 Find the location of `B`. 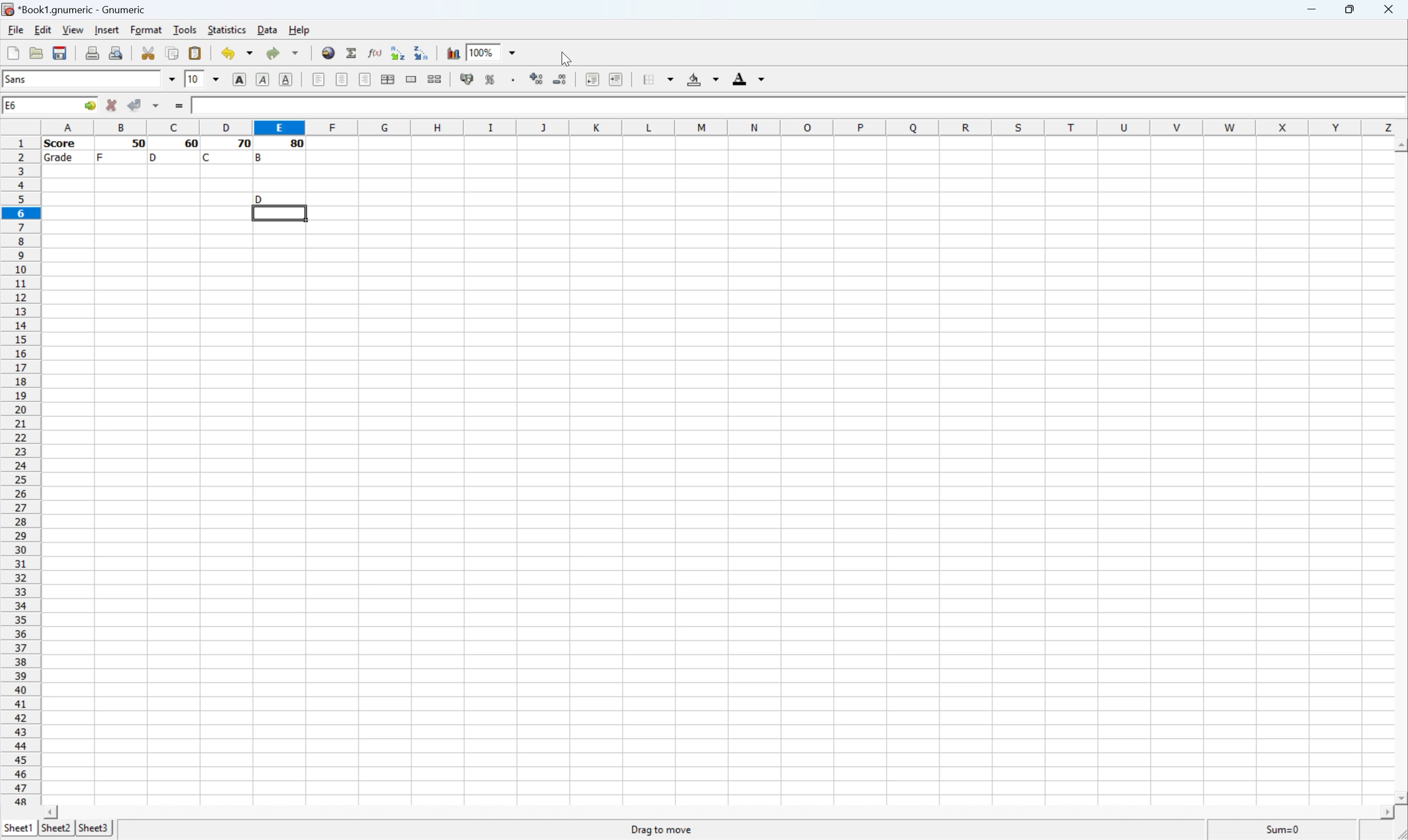

B is located at coordinates (260, 156).